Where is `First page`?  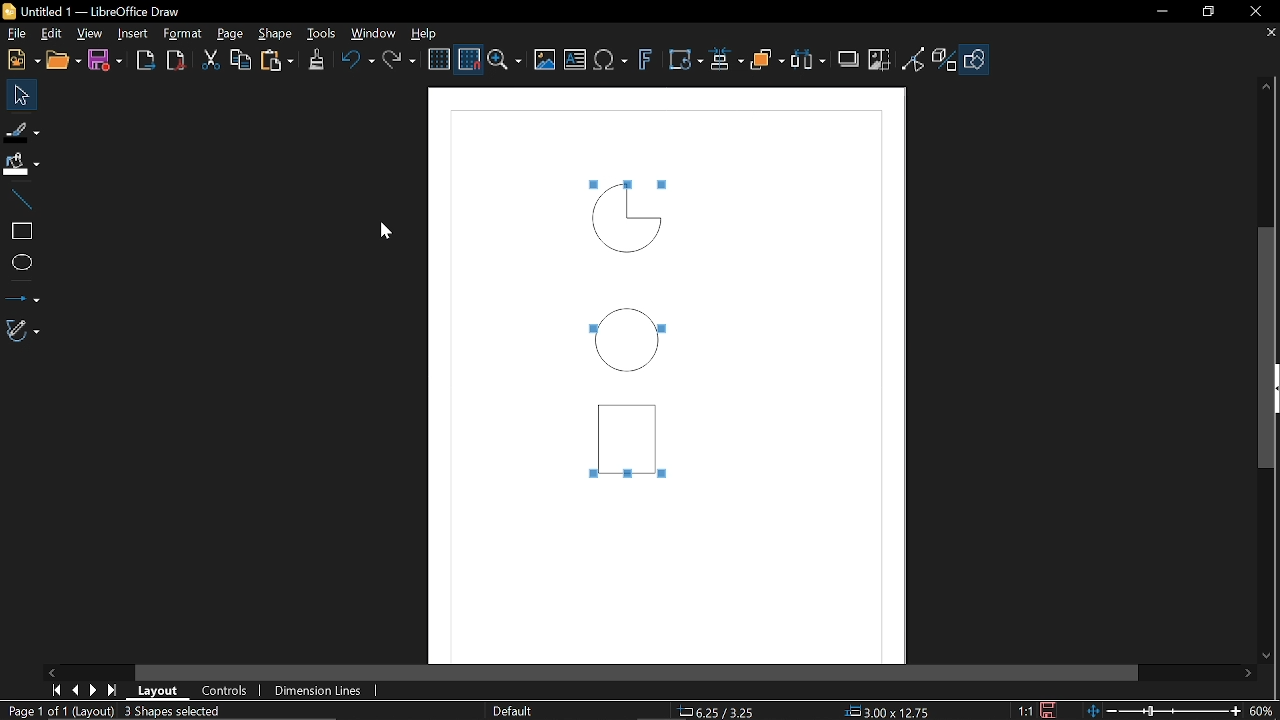
First page is located at coordinates (56, 691).